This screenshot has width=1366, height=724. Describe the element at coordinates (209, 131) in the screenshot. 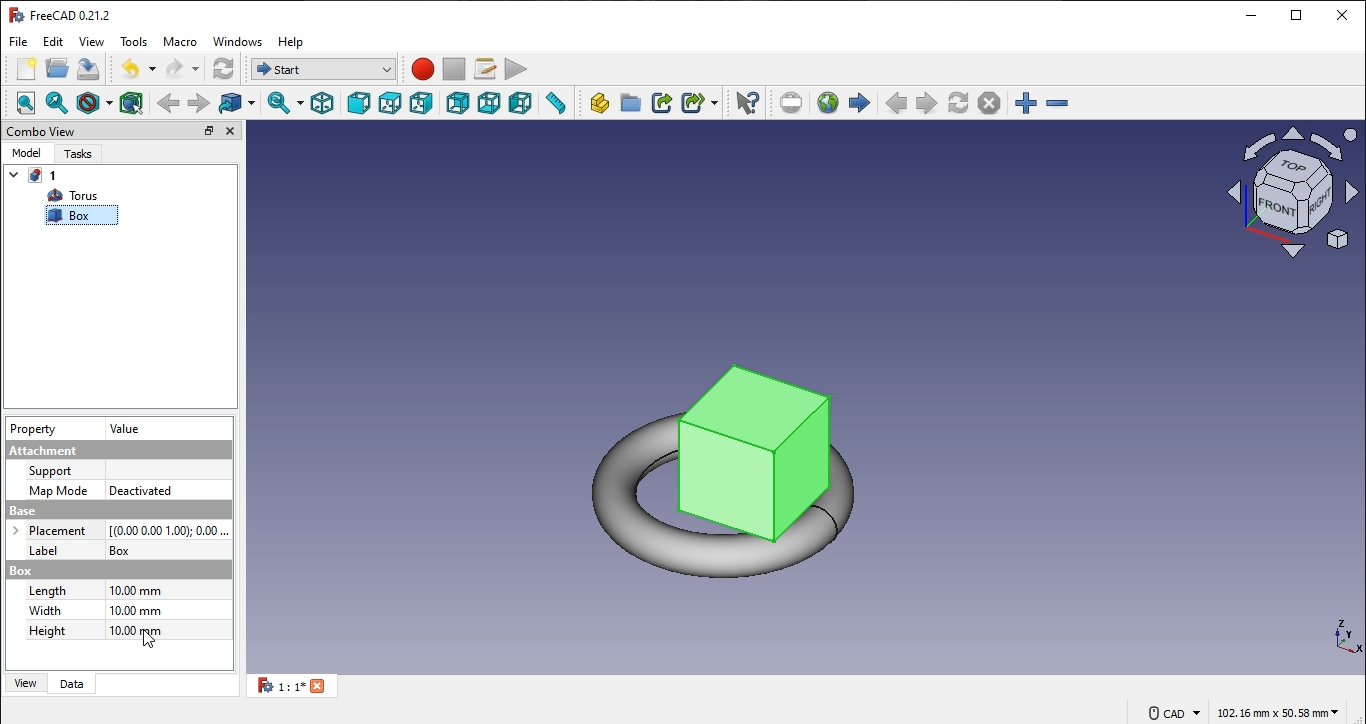

I see `restore` at that location.